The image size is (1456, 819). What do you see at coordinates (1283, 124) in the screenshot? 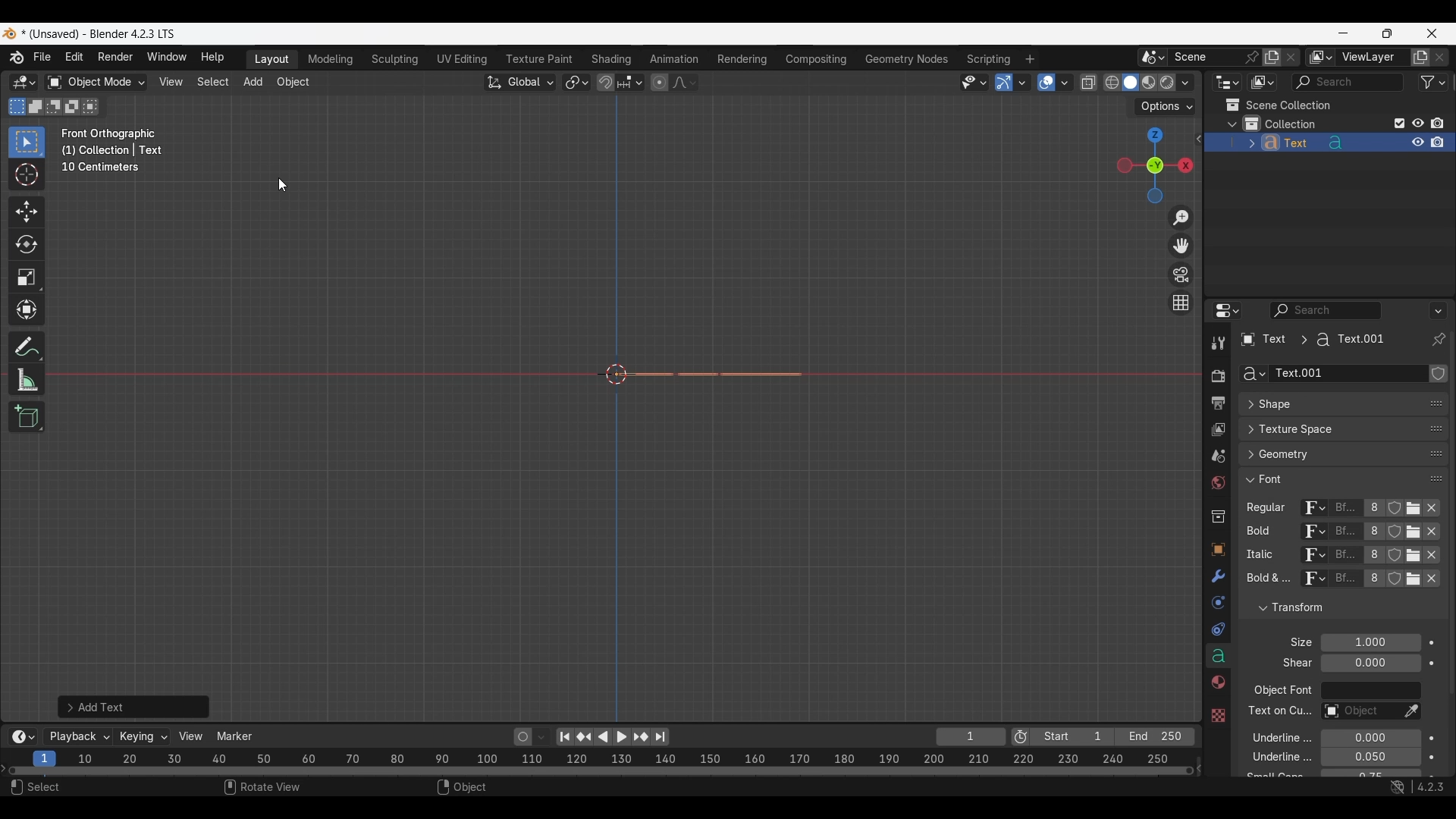
I see `Collection 1` at bounding box center [1283, 124].